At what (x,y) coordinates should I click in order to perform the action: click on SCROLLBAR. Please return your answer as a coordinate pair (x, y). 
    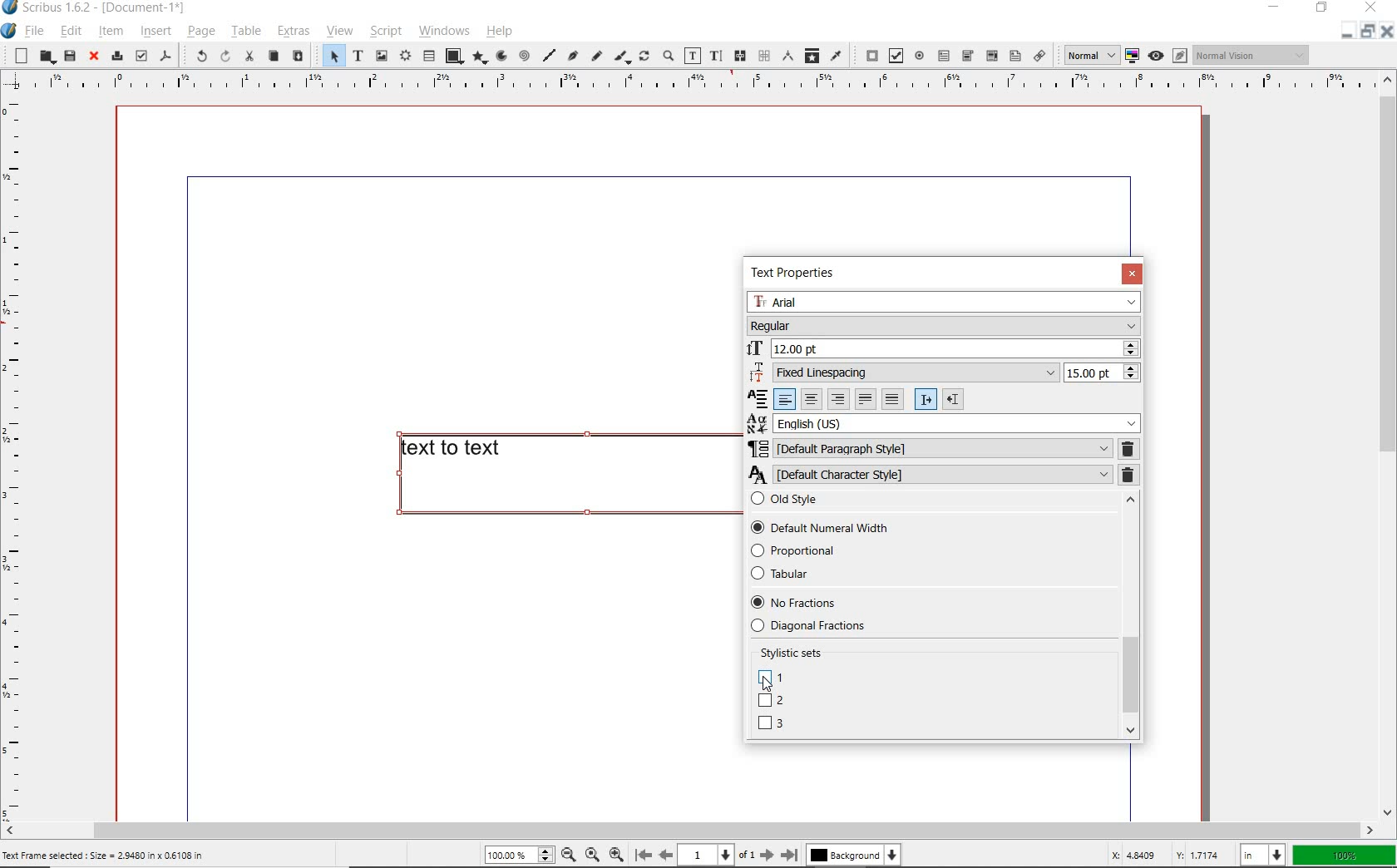
    Looking at the image, I should click on (1132, 616).